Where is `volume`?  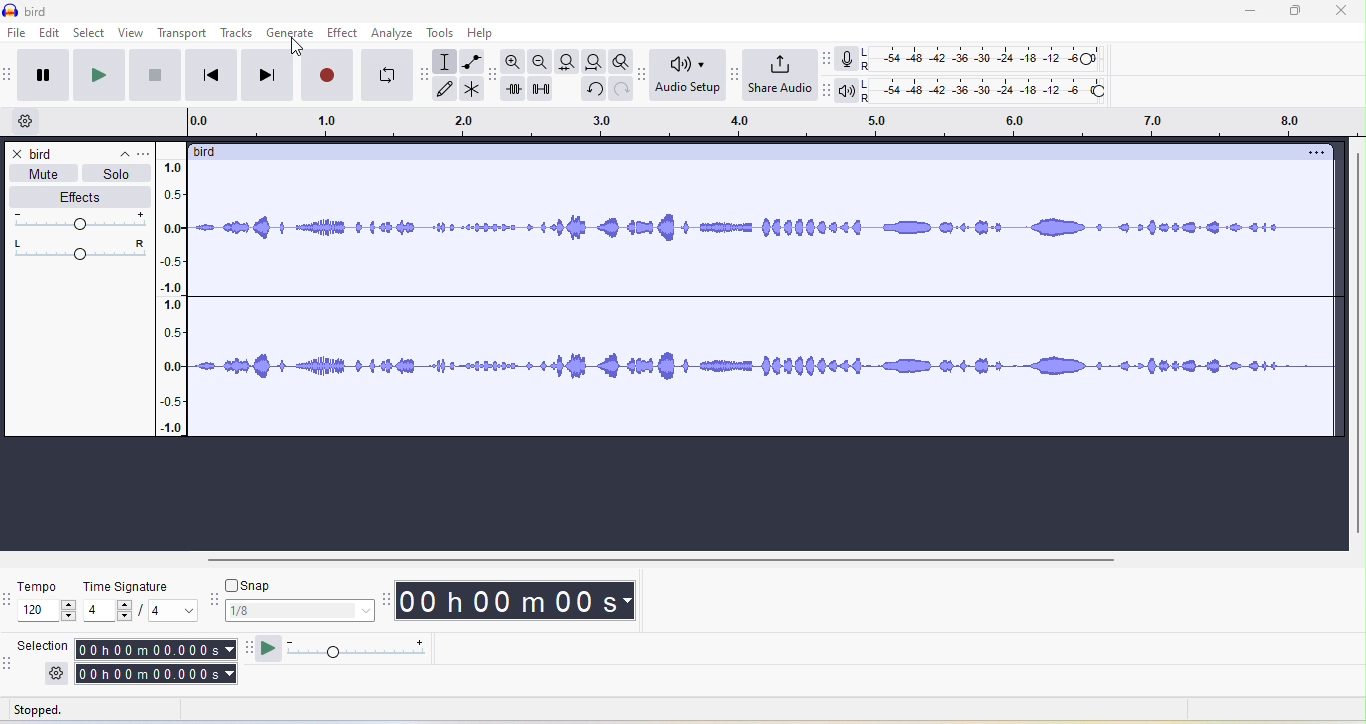
volume is located at coordinates (75, 222).